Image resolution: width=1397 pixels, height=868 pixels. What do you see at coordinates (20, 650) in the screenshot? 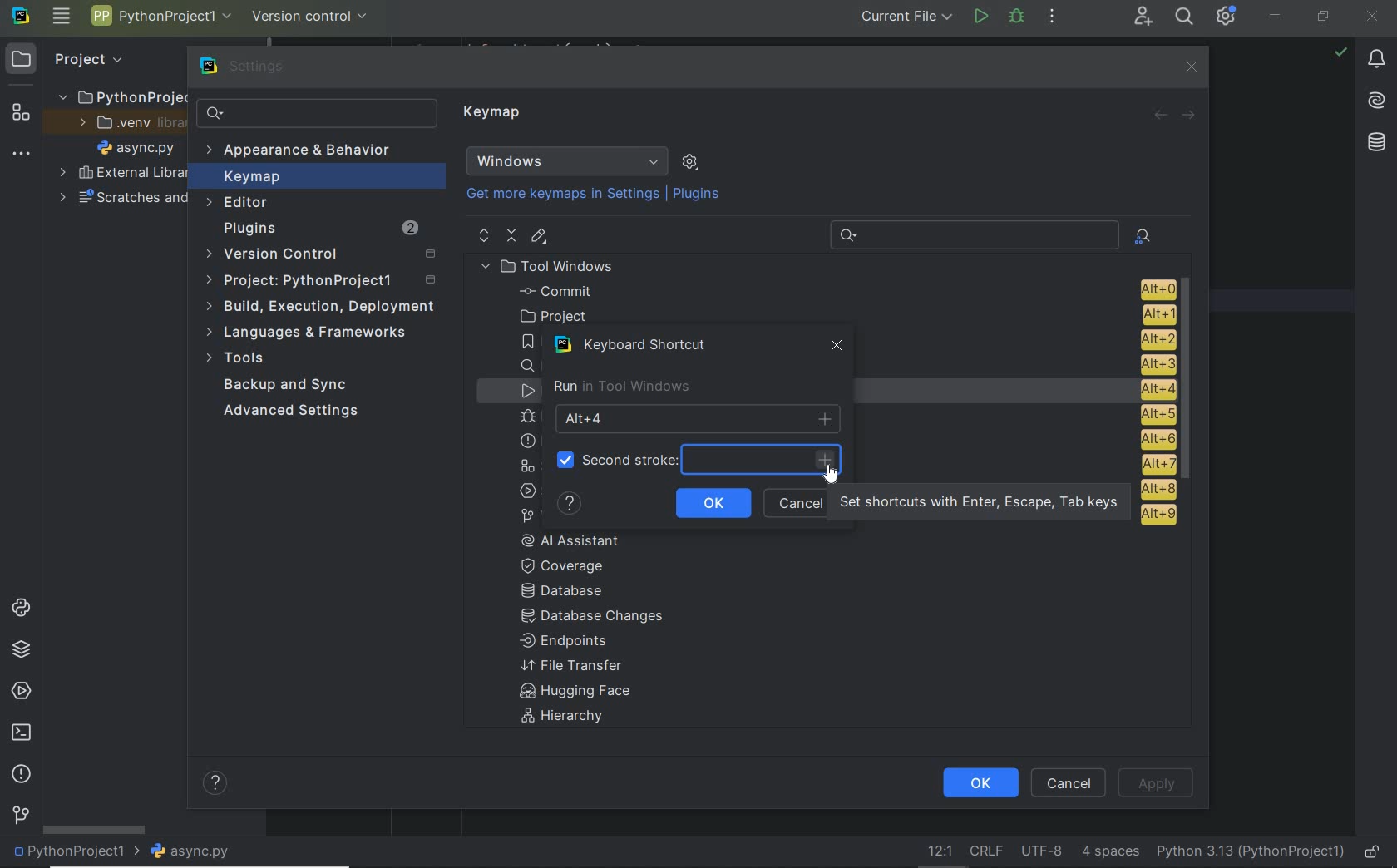
I see `python packages` at bounding box center [20, 650].